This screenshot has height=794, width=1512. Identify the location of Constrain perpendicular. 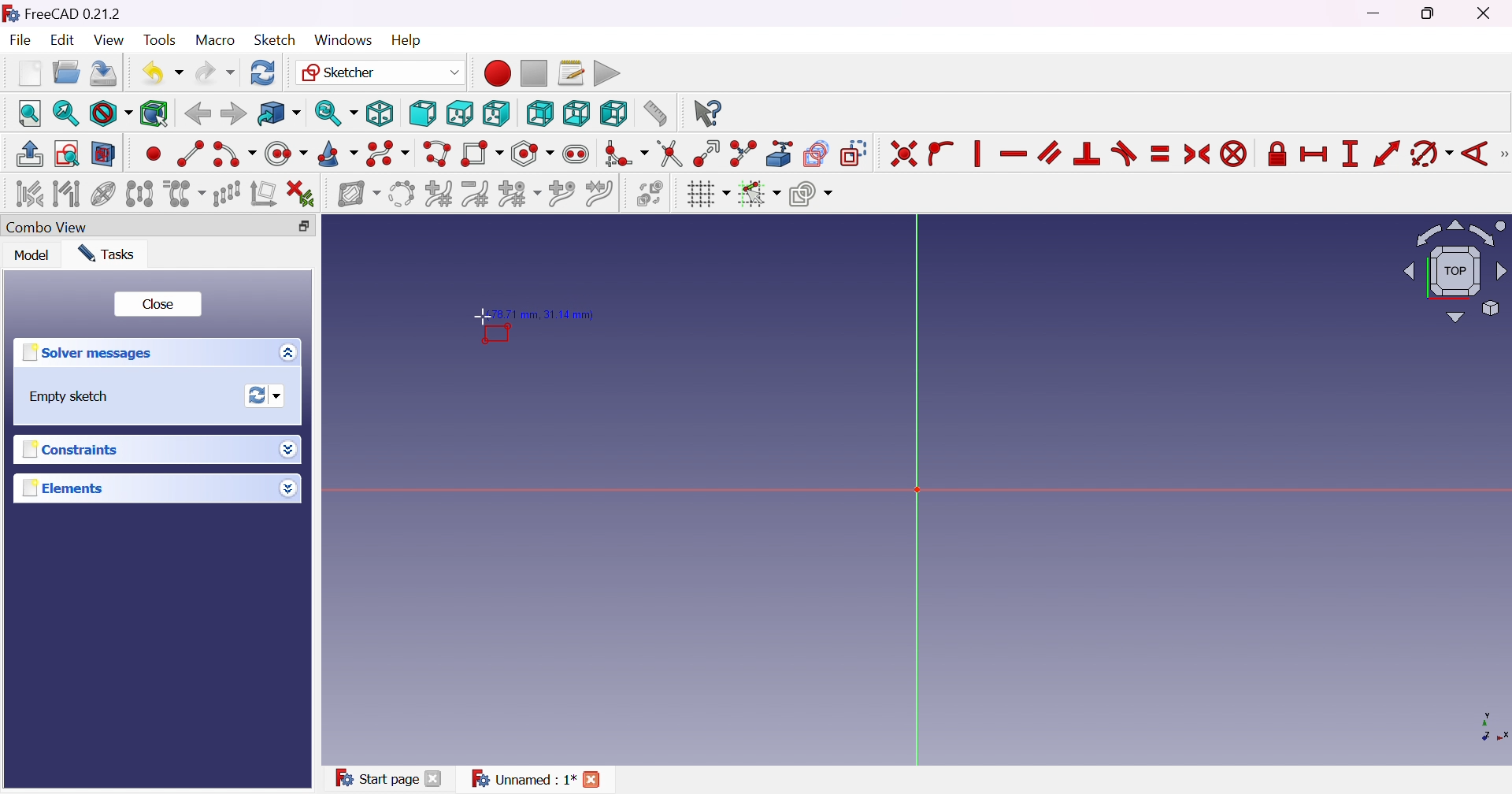
(1088, 154).